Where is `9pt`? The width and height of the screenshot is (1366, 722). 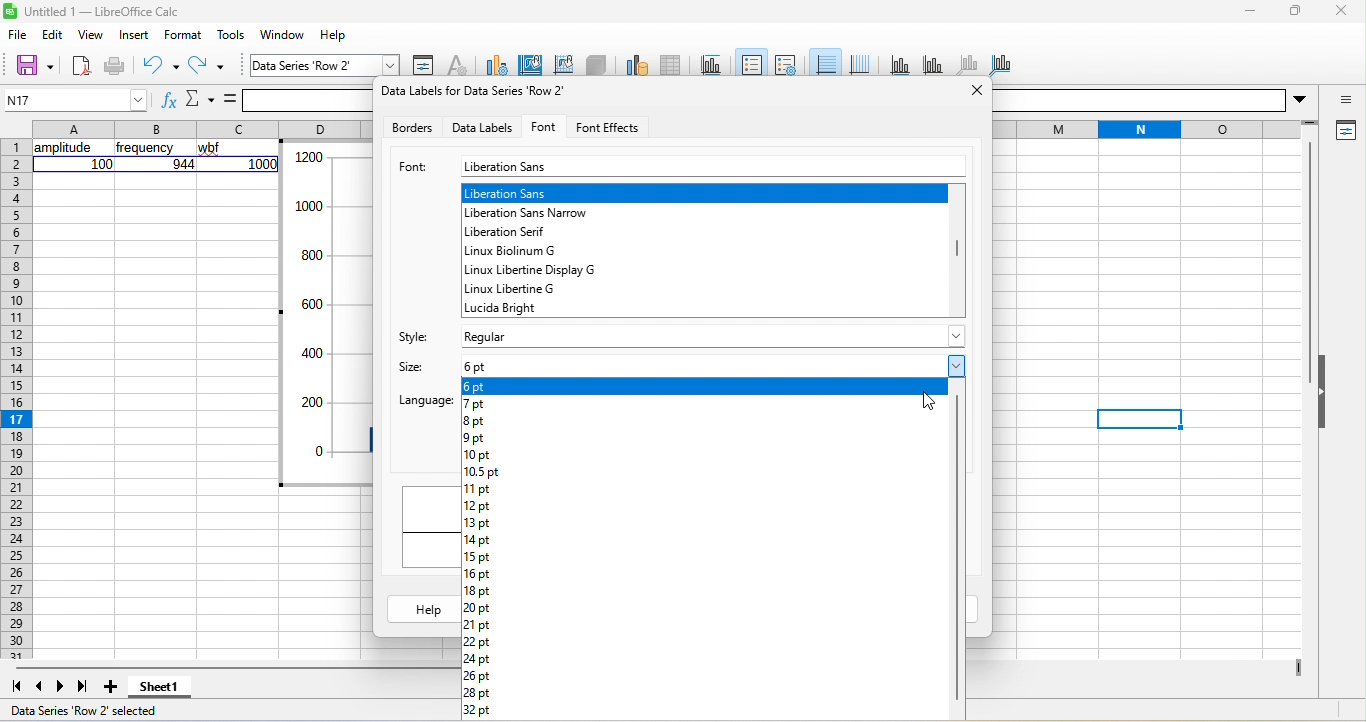 9pt is located at coordinates (475, 440).